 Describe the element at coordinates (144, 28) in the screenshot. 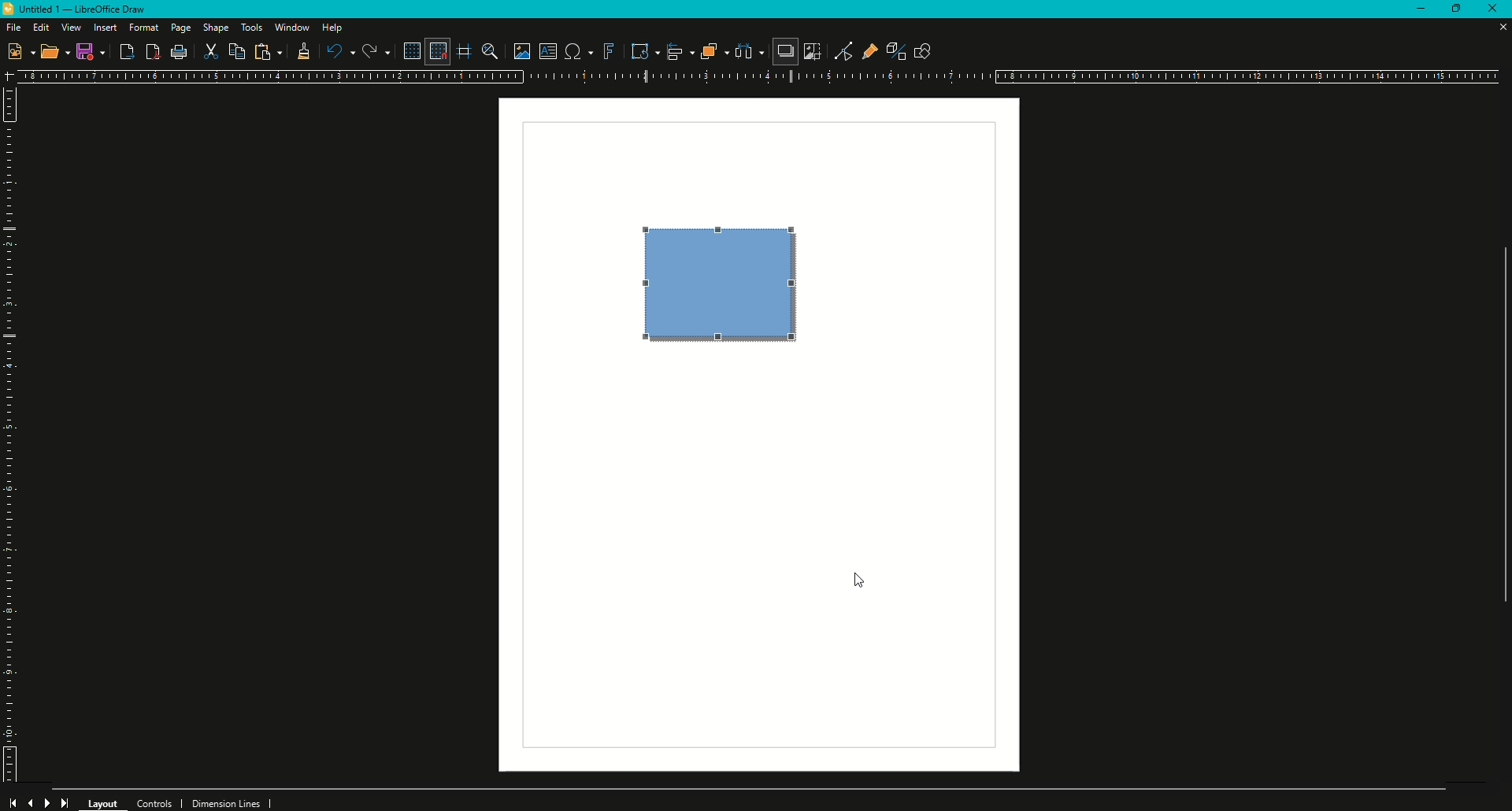

I see `Format` at that location.